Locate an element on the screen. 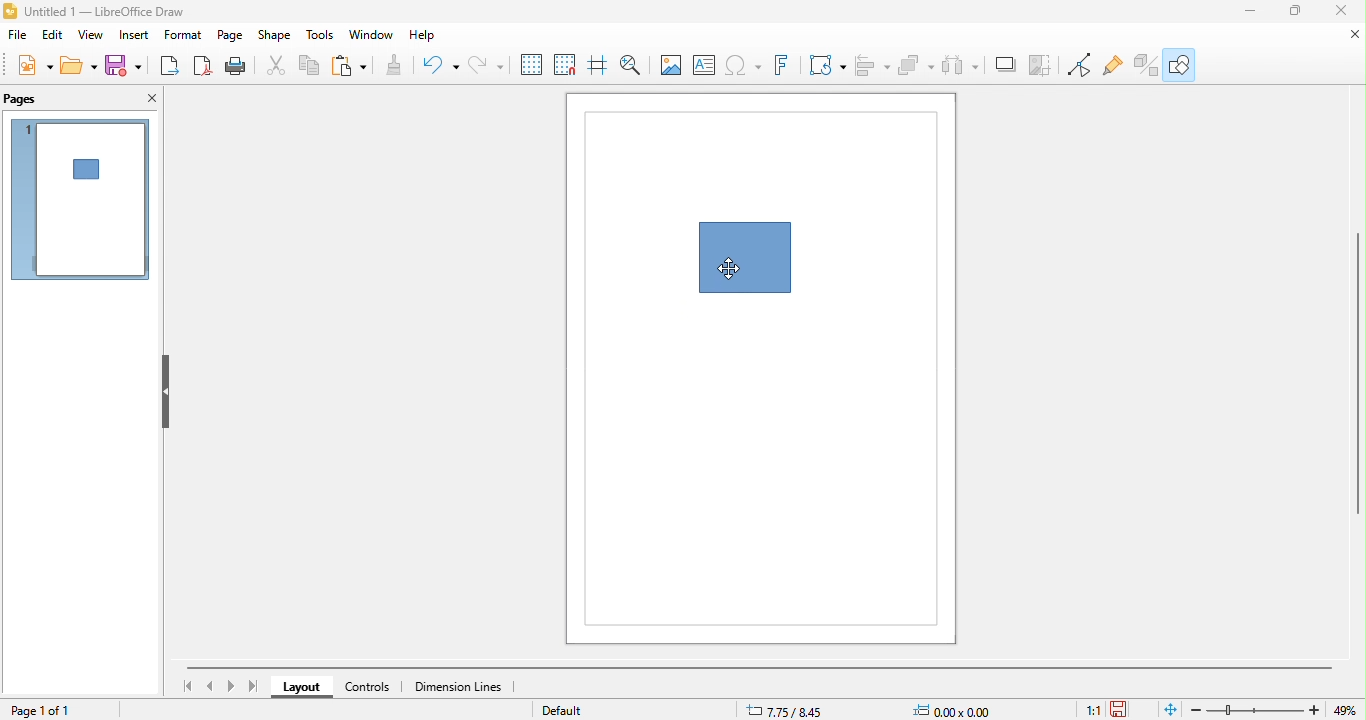 The height and width of the screenshot is (720, 1366). align object is located at coordinates (872, 65).